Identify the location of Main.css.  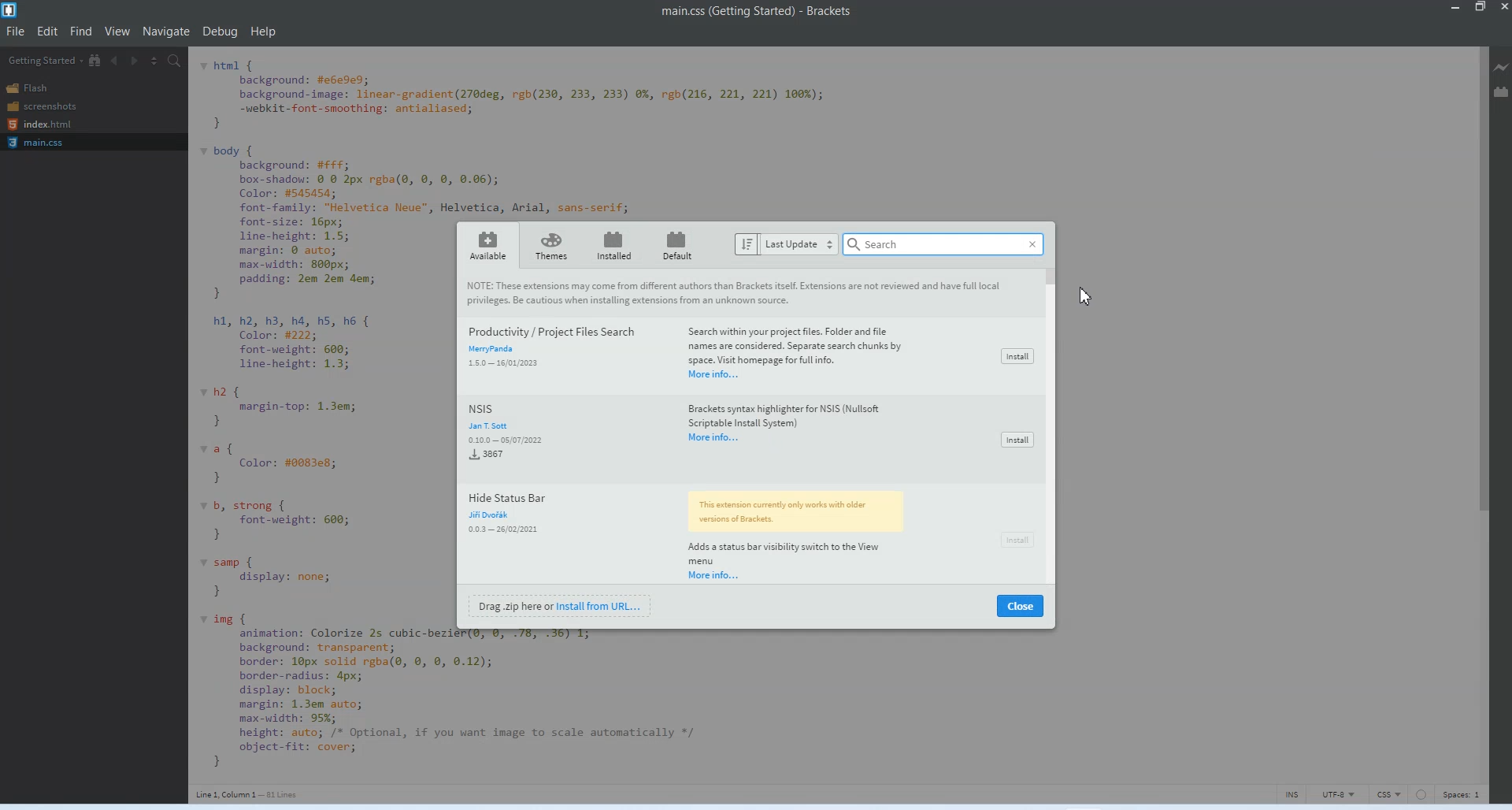
(37, 143).